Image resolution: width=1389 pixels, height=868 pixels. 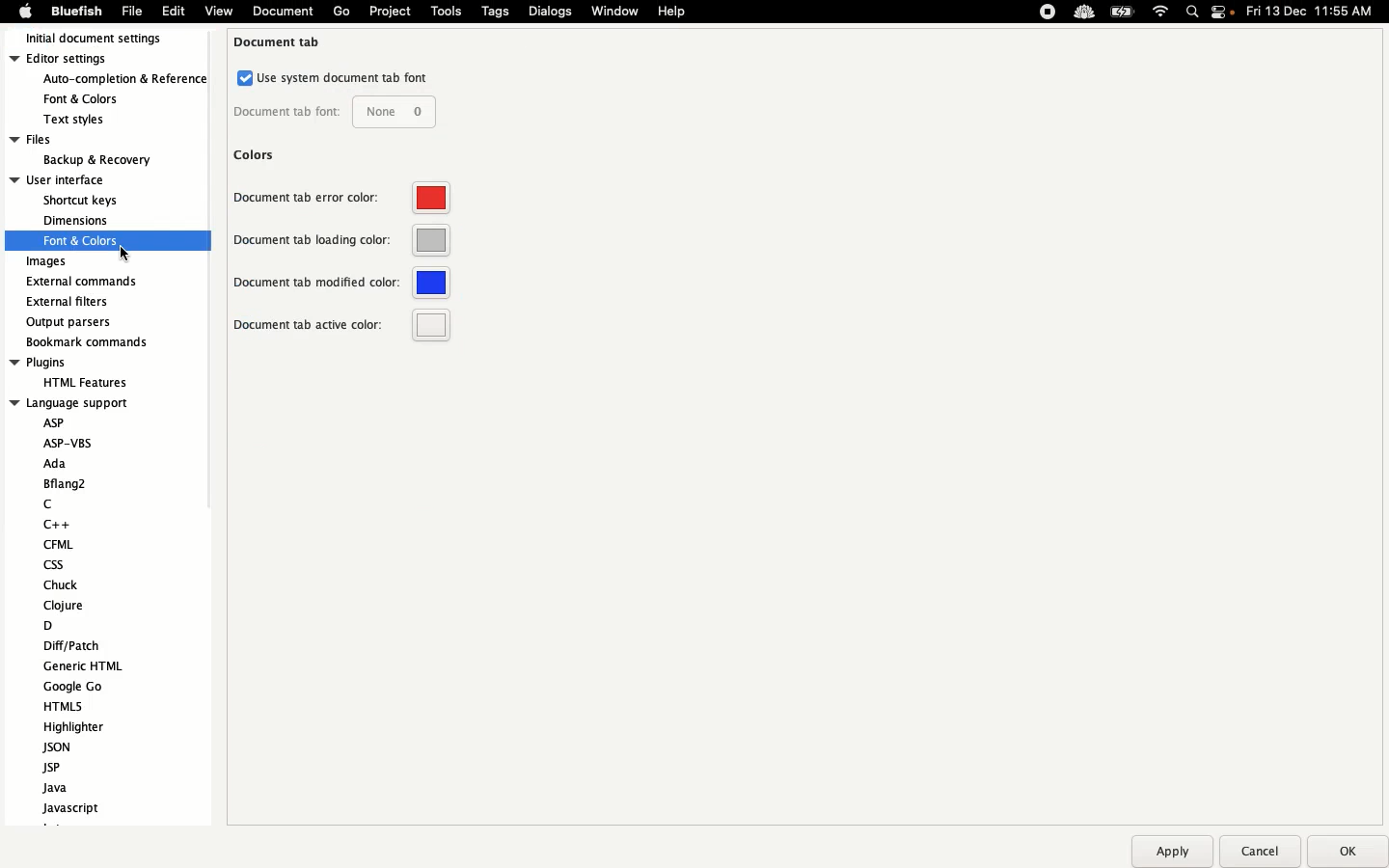 I want to click on External commands, so click(x=82, y=282).